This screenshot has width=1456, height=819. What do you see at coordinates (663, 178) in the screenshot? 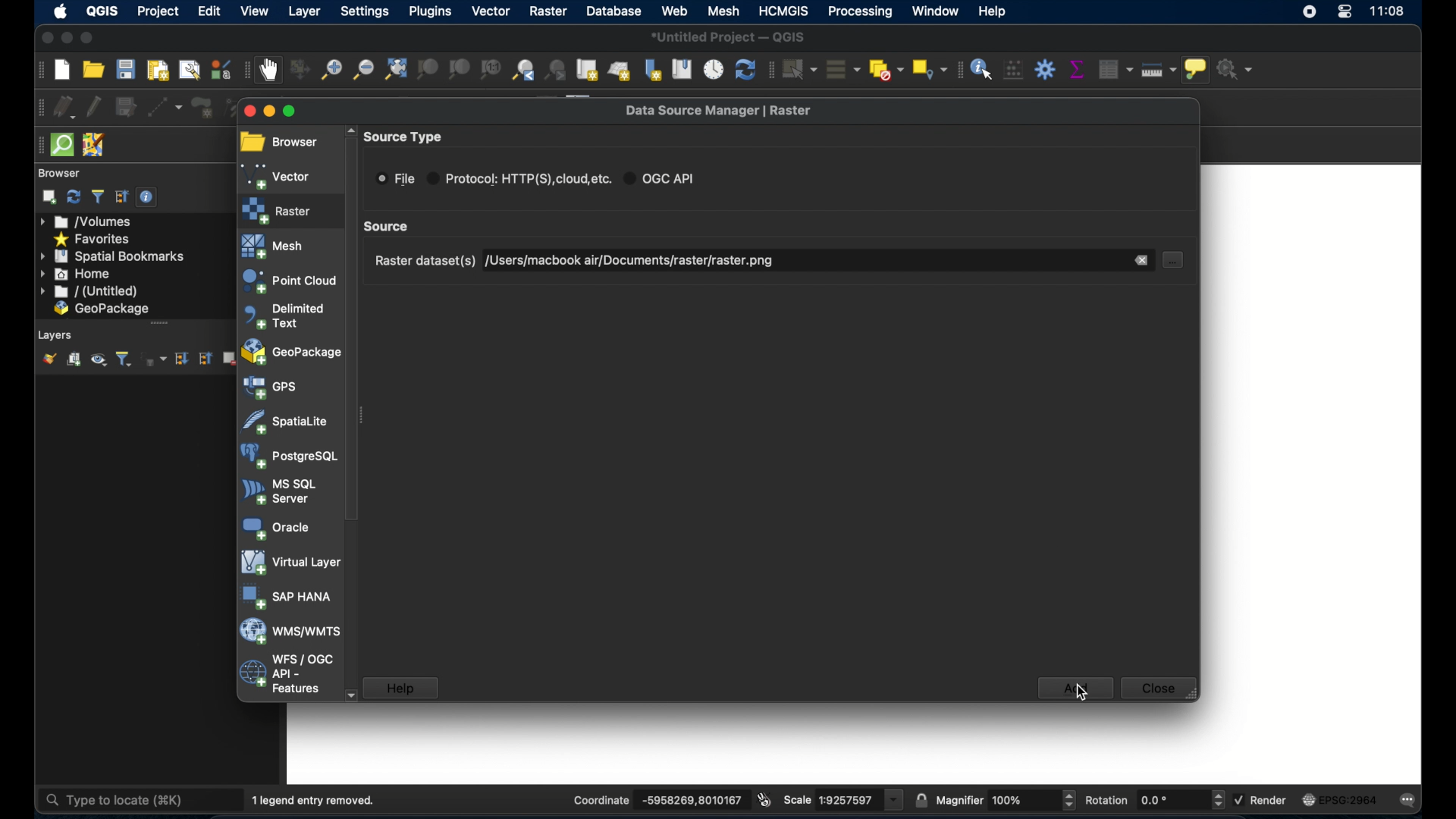
I see `ogc api radio button` at bounding box center [663, 178].